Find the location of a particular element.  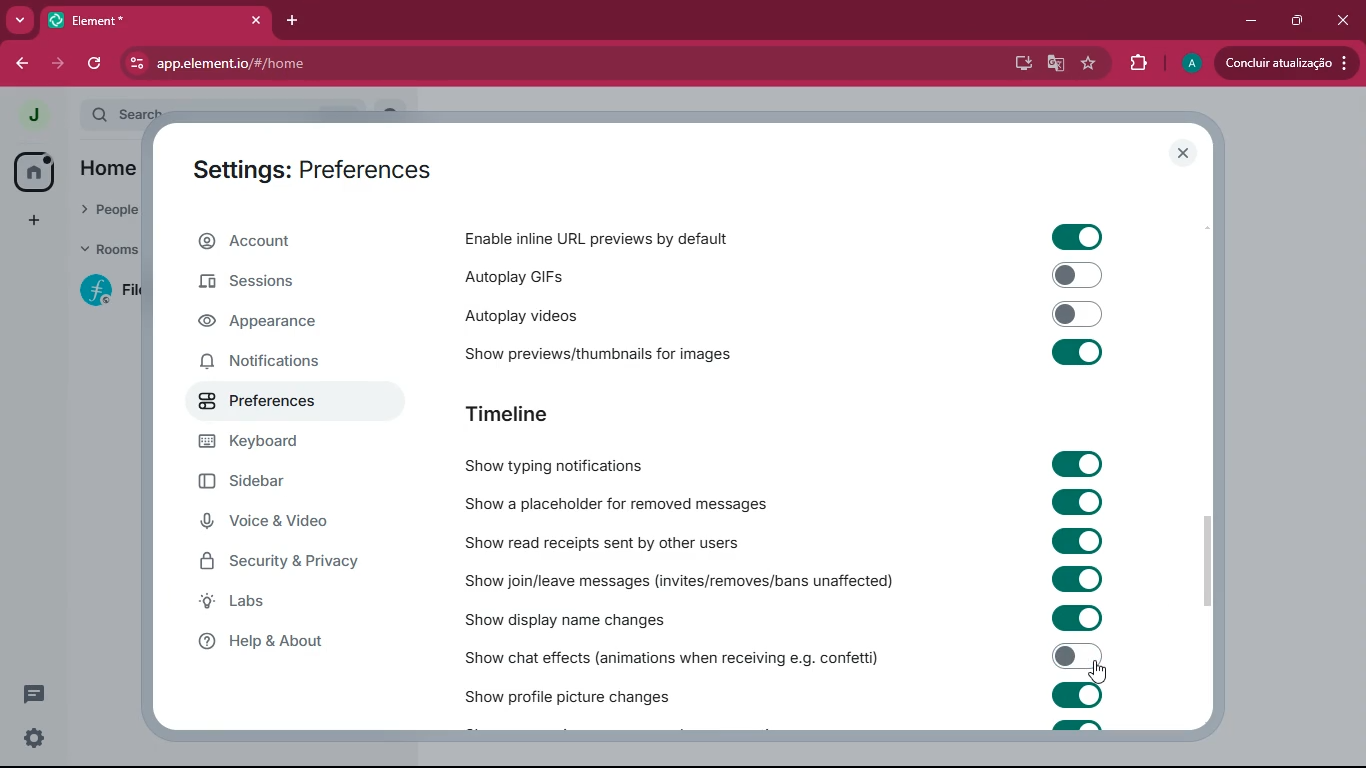

profile picture is located at coordinates (33, 115).